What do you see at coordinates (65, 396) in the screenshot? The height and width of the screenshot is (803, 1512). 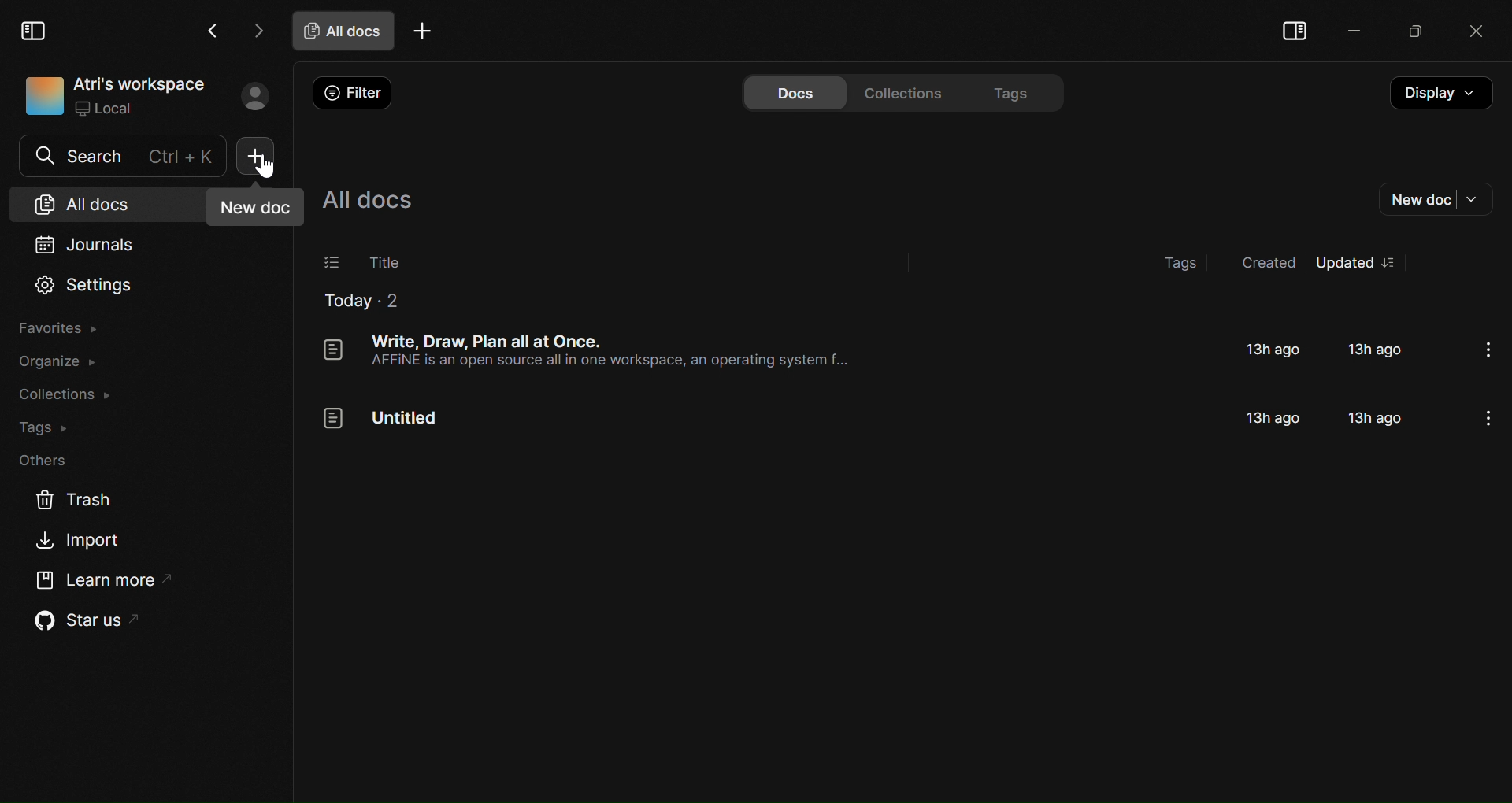 I see `Collections` at bounding box center [65, 396].